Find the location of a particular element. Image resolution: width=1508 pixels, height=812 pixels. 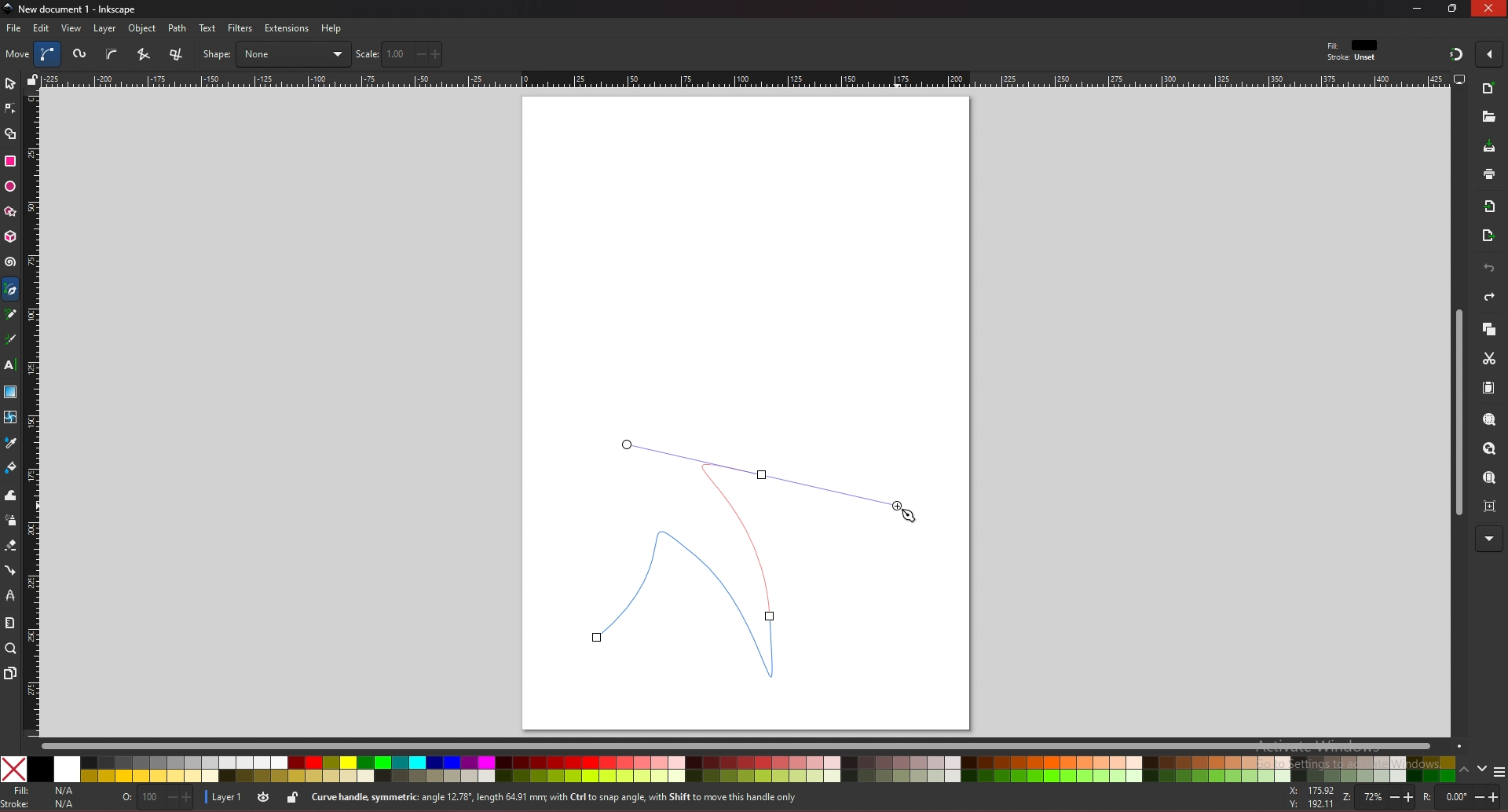

tweak is located at coordinates (11, 495).